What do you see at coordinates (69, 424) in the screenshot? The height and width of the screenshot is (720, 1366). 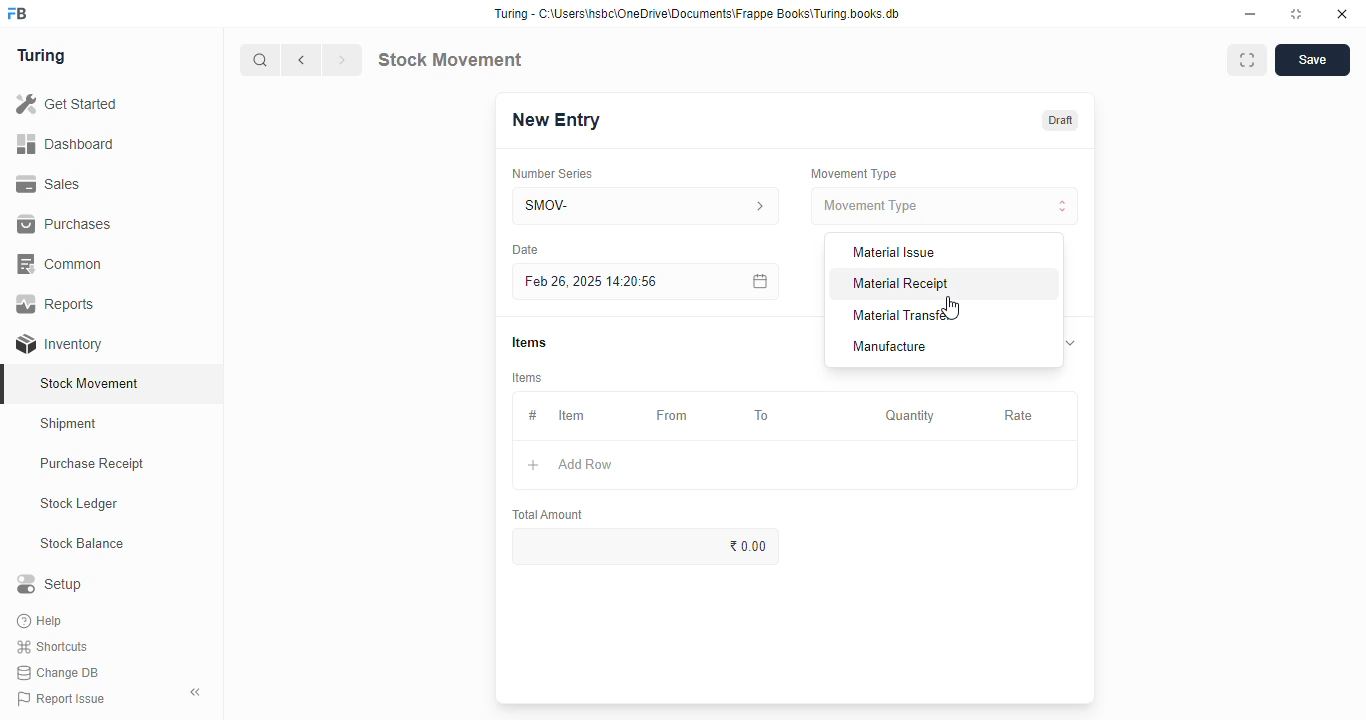 I see `shipment` at bounding box center [69, 424].